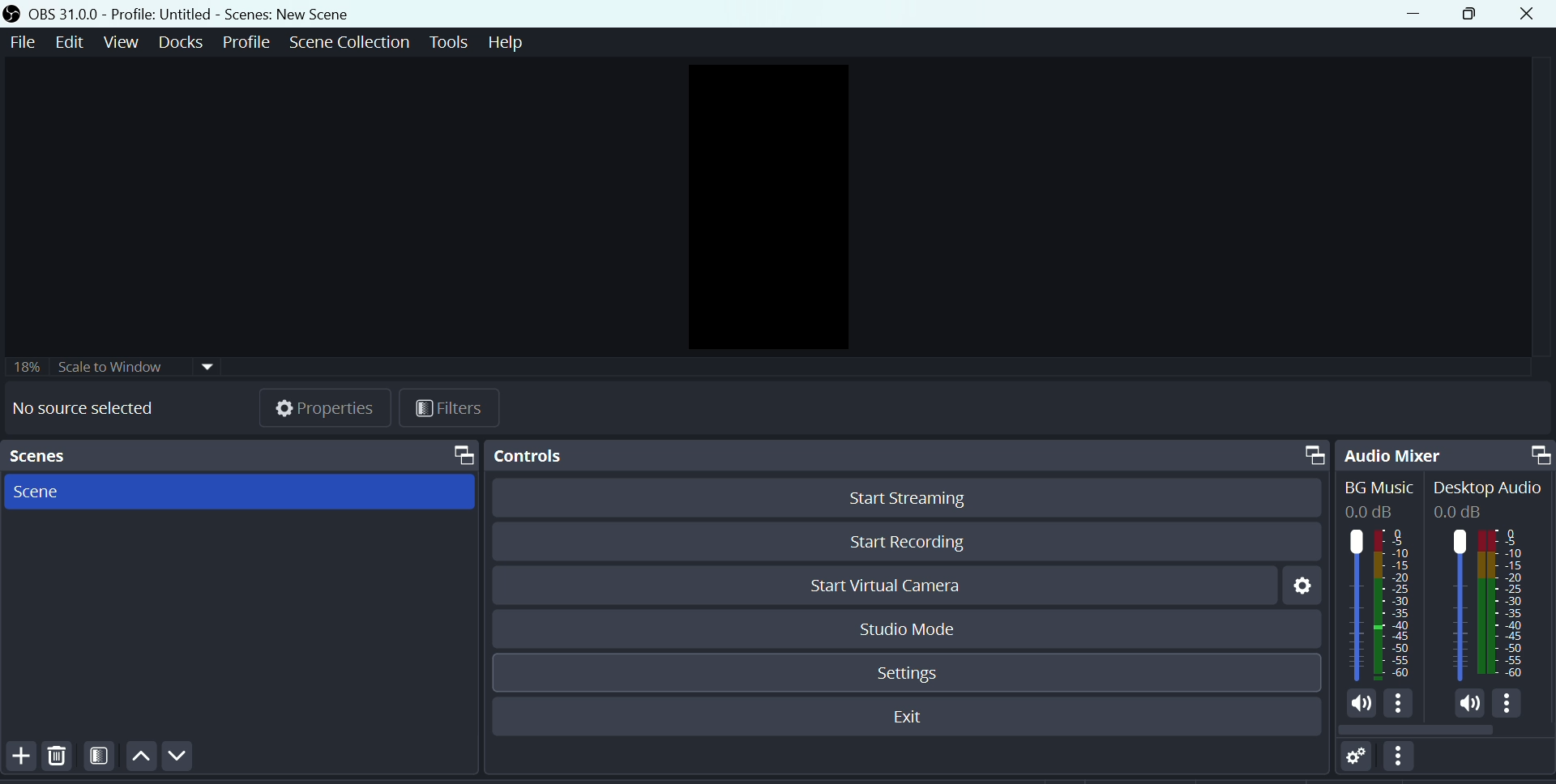 The width and height of the screenshot is (1556, 784). What do you see at coordinates (1446, 452) in the screenshot?
I see `Audio mixer` at bounding box center [1446, 452].